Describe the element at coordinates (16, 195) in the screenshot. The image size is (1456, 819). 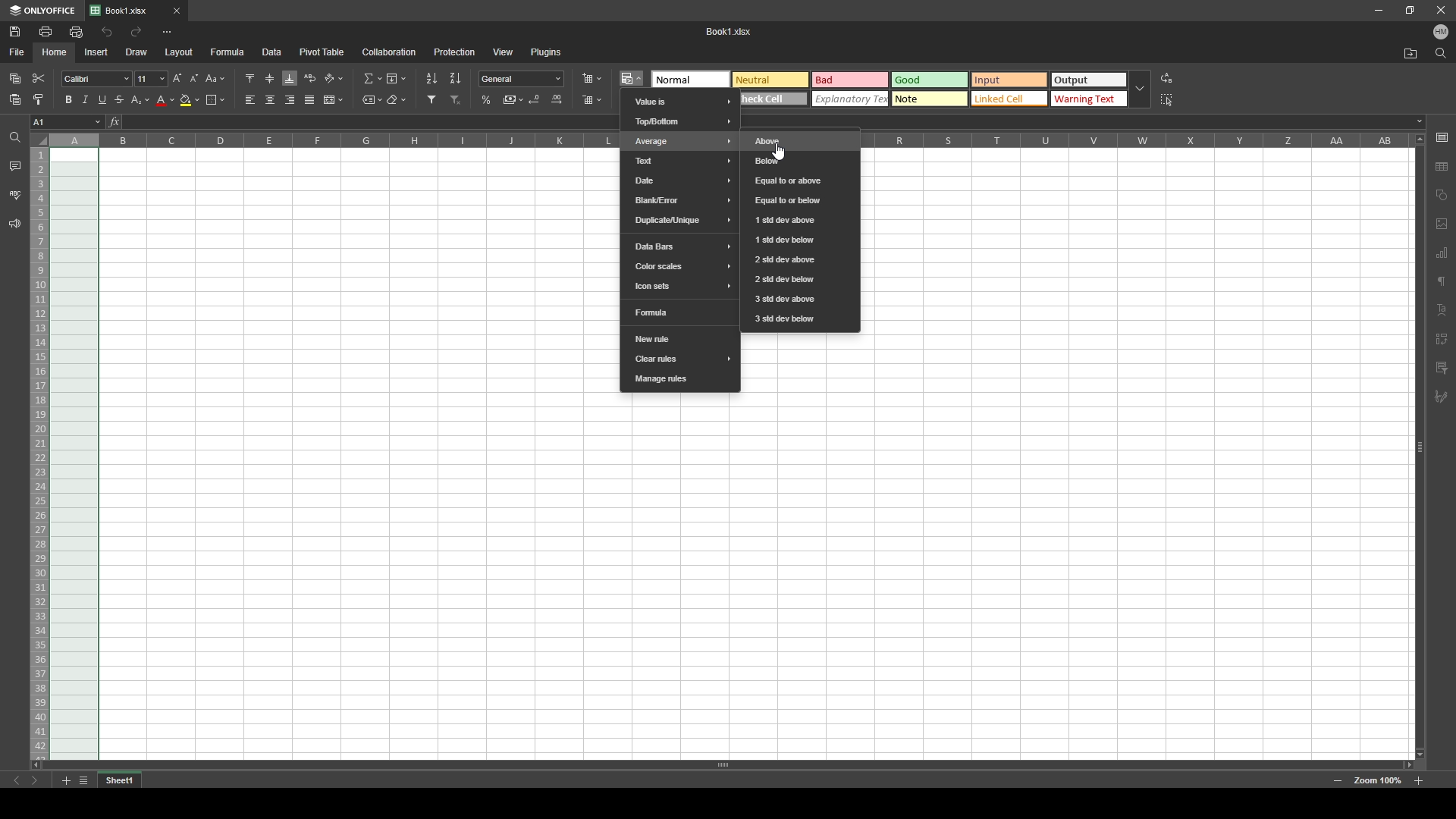
I see `spell check` at that location.